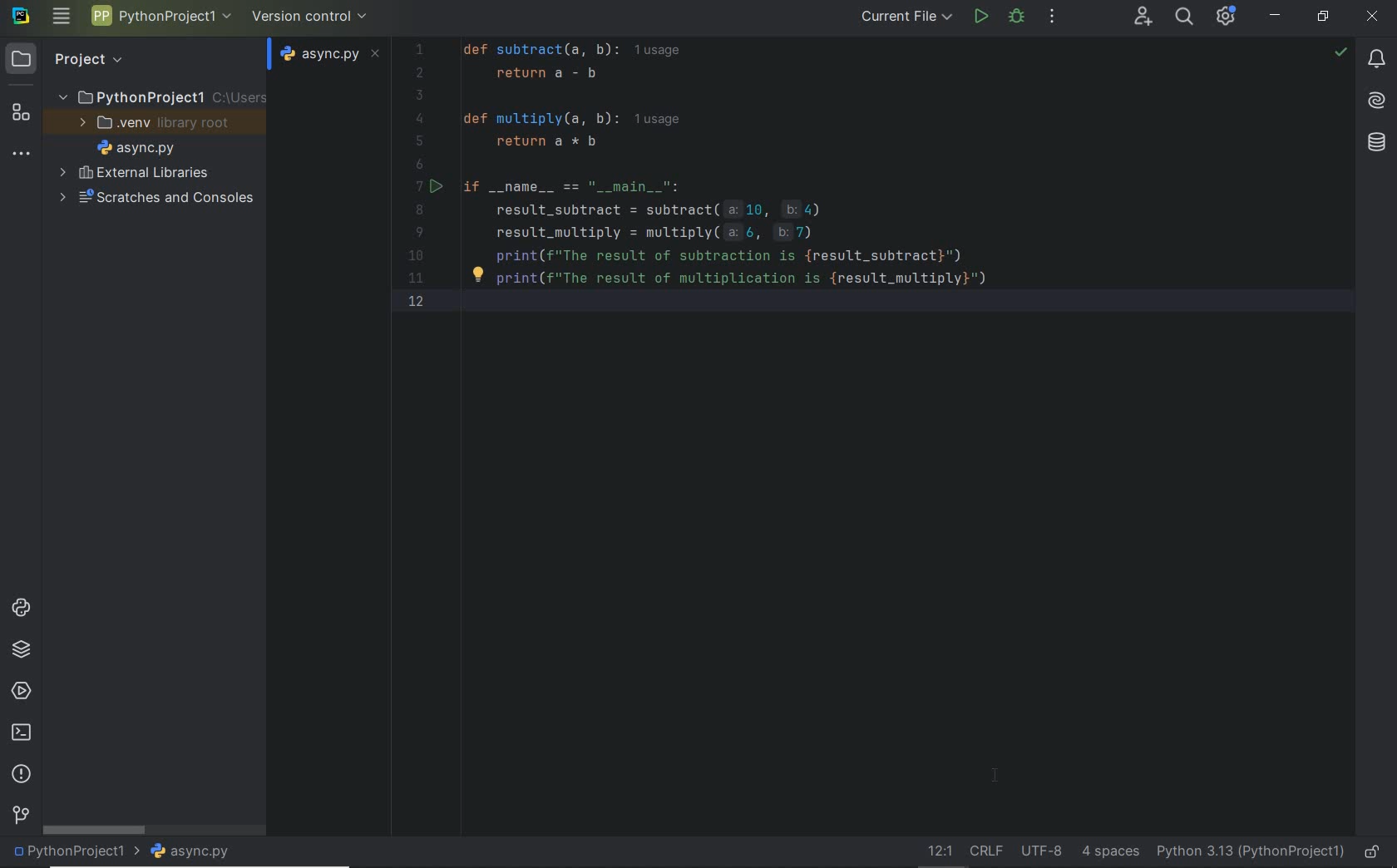 The width and height of the screenshot is (1397, 868). What do you see at coordinates (1108, 852) in the screenshot?
I see `indent` at bounding box center [1108, 852].